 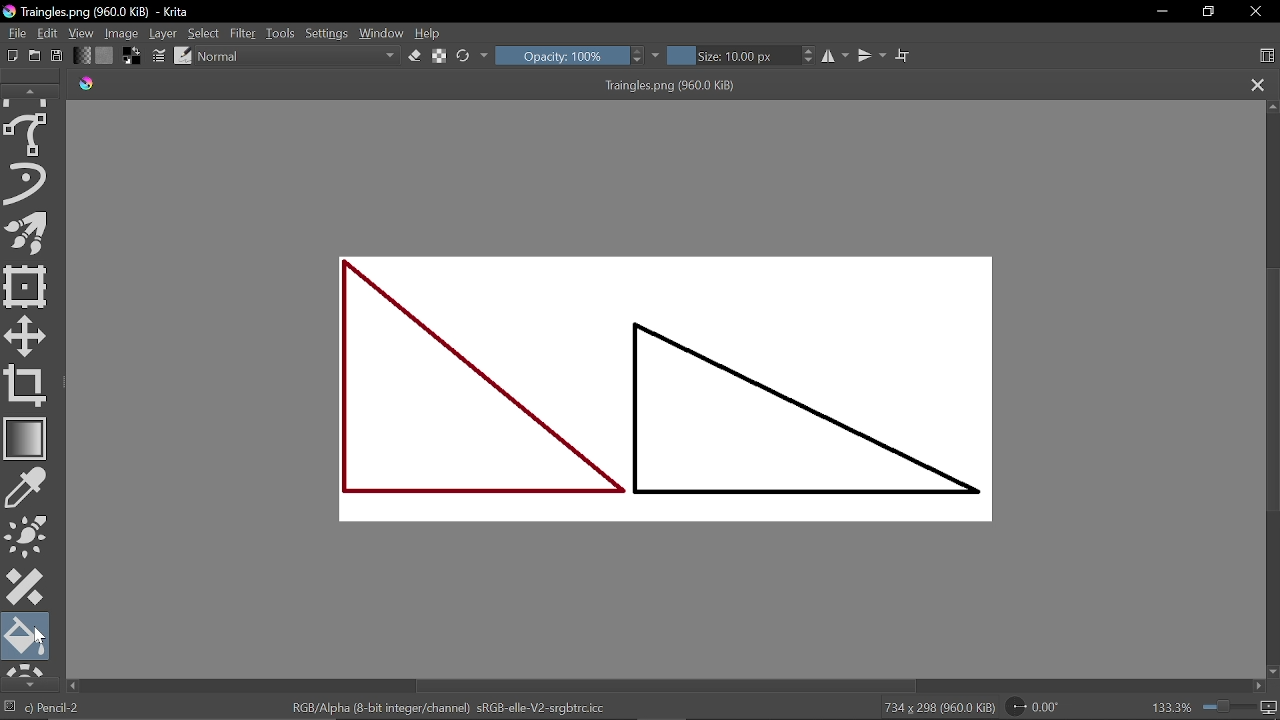 I want to click on Crop, so click(x=26, y=385).